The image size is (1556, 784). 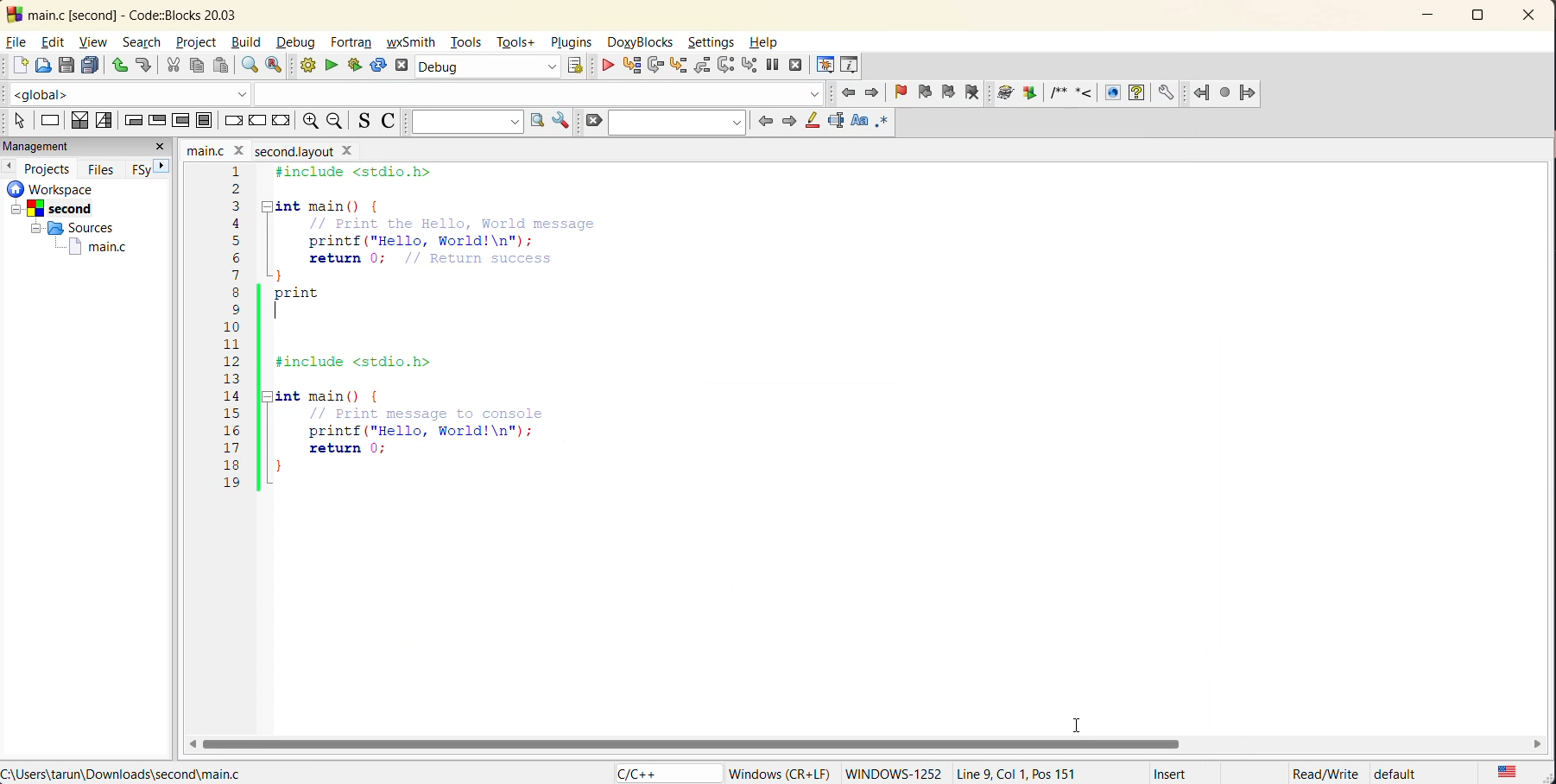 I want to click on view, so click(x=98, y=42).